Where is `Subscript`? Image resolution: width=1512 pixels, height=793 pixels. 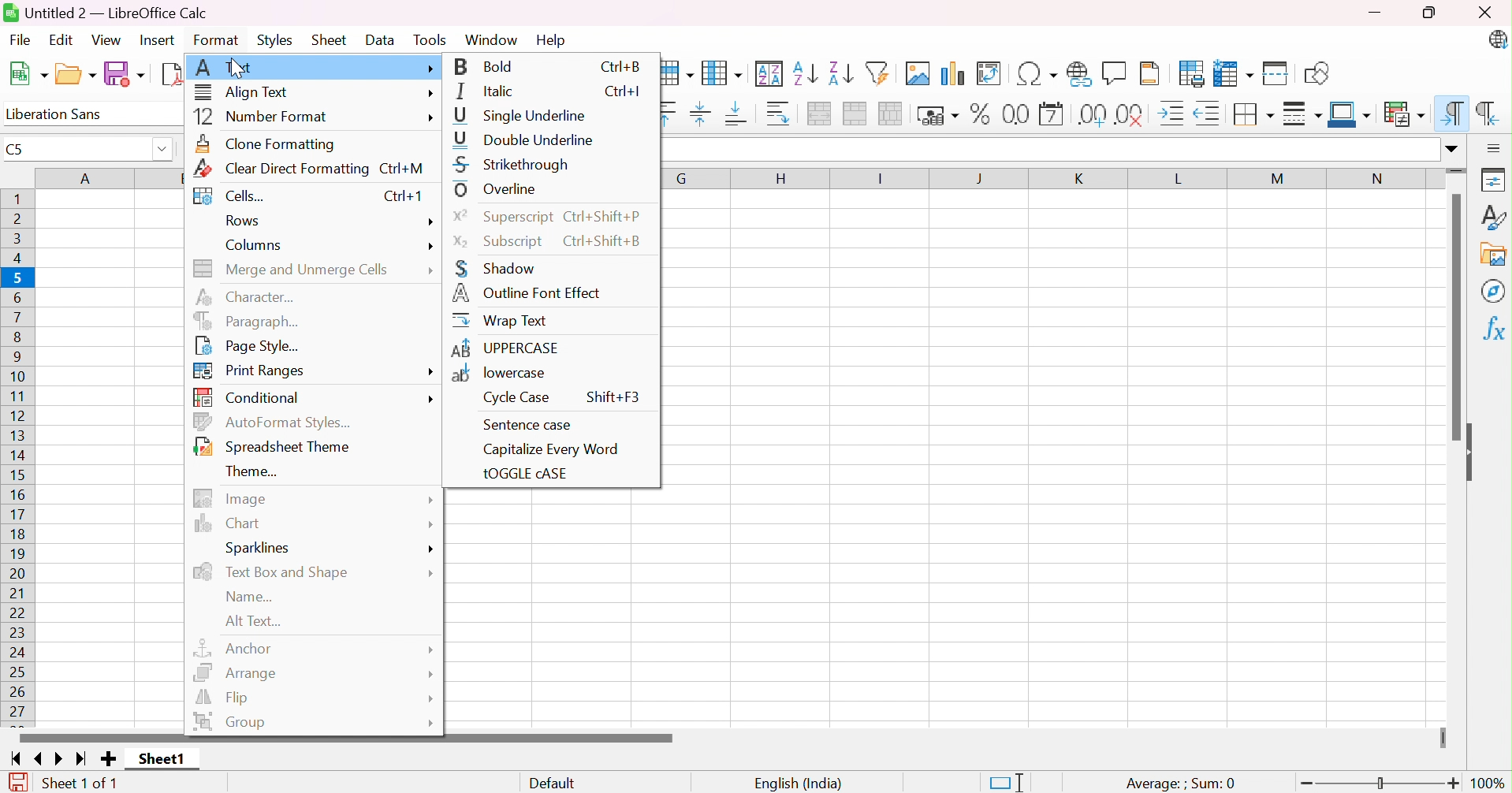 Subscript is located at coordinates (500, 240).